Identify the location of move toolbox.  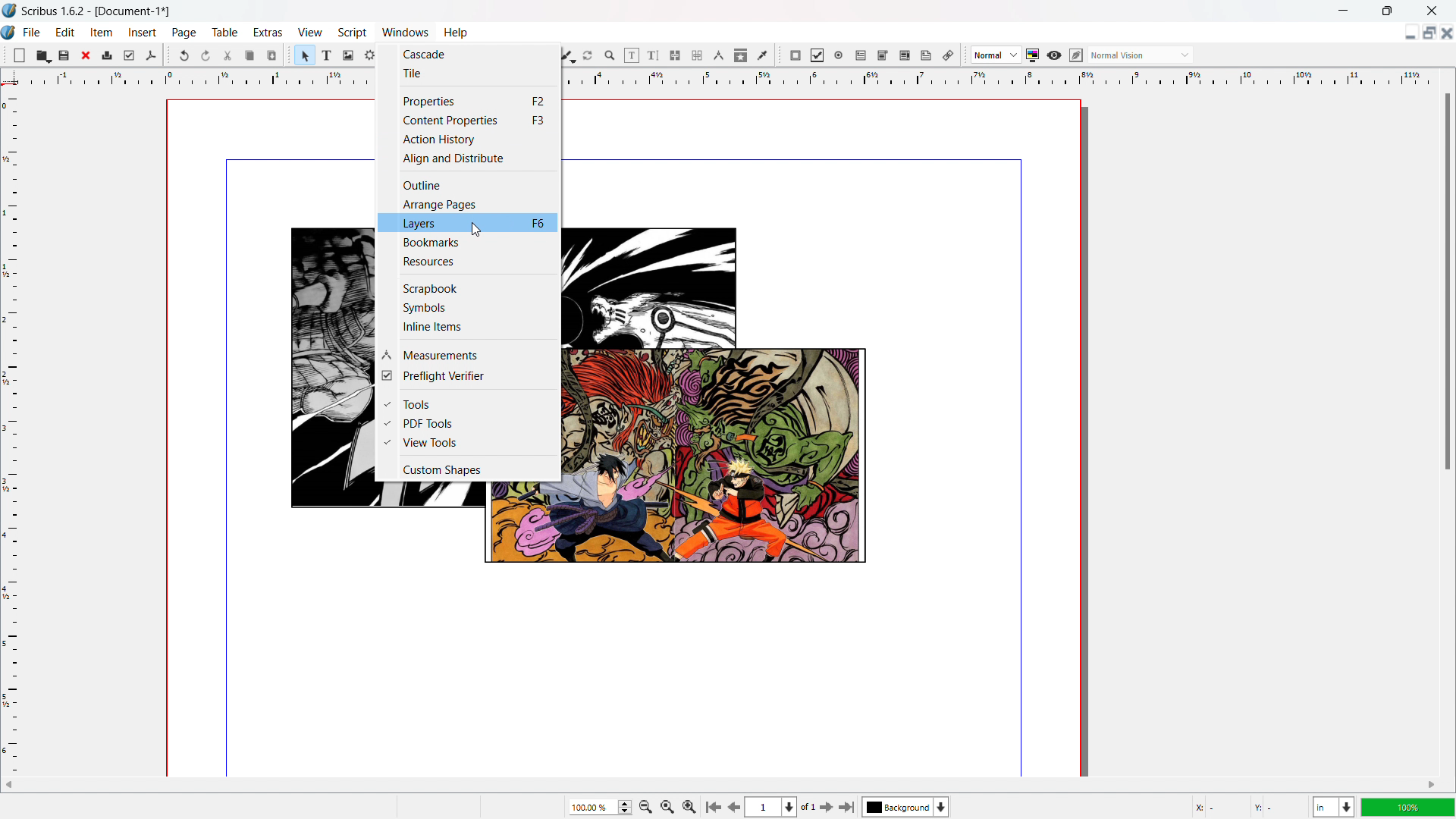
(168, 54).